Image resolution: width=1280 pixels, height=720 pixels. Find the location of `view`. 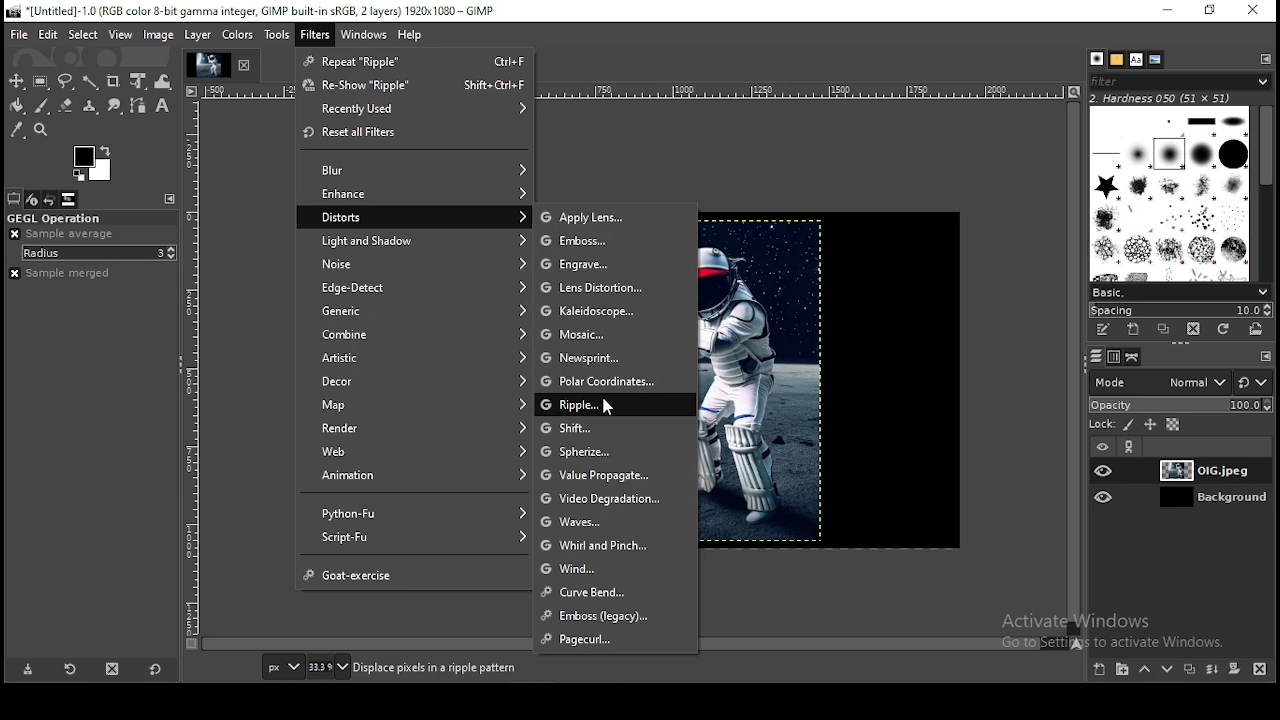

view is located at coordinates (122, 34).